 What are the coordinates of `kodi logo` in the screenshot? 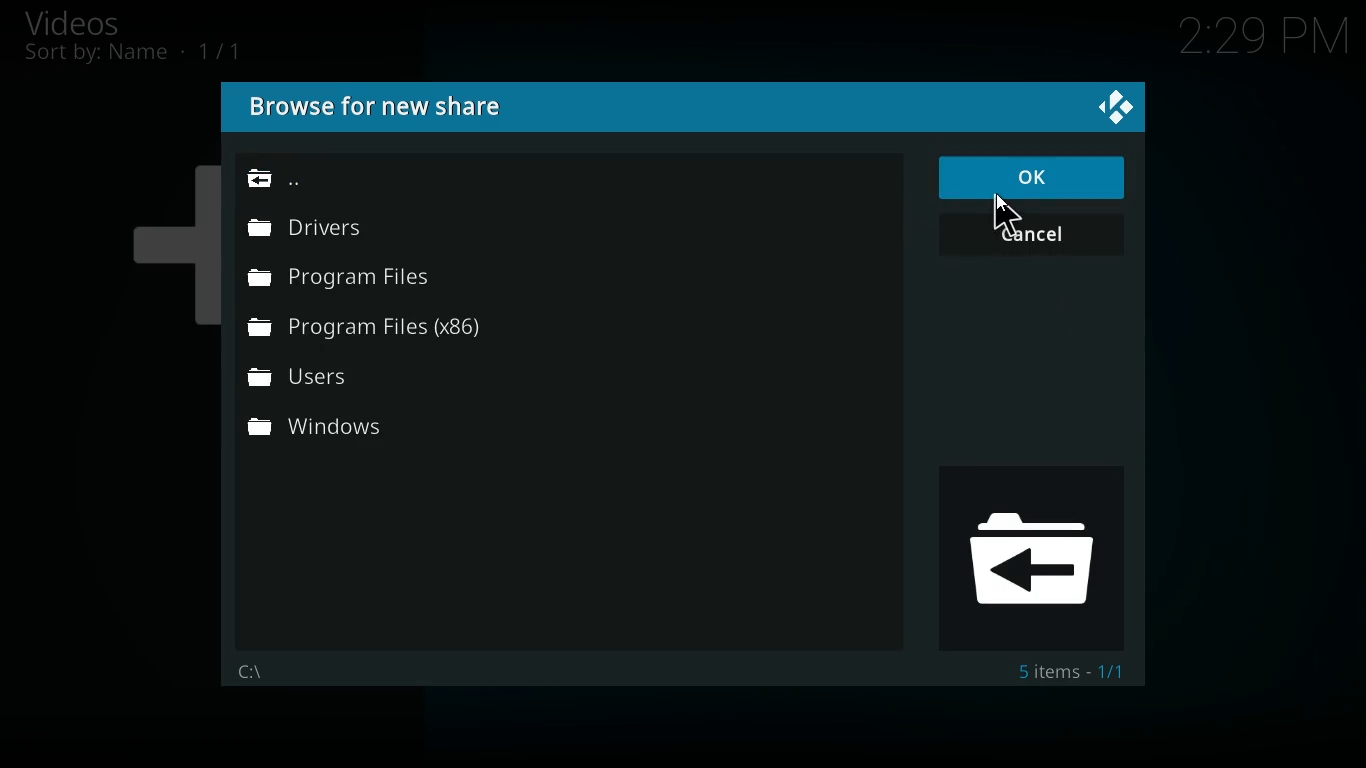 It's located at (1119, 109).